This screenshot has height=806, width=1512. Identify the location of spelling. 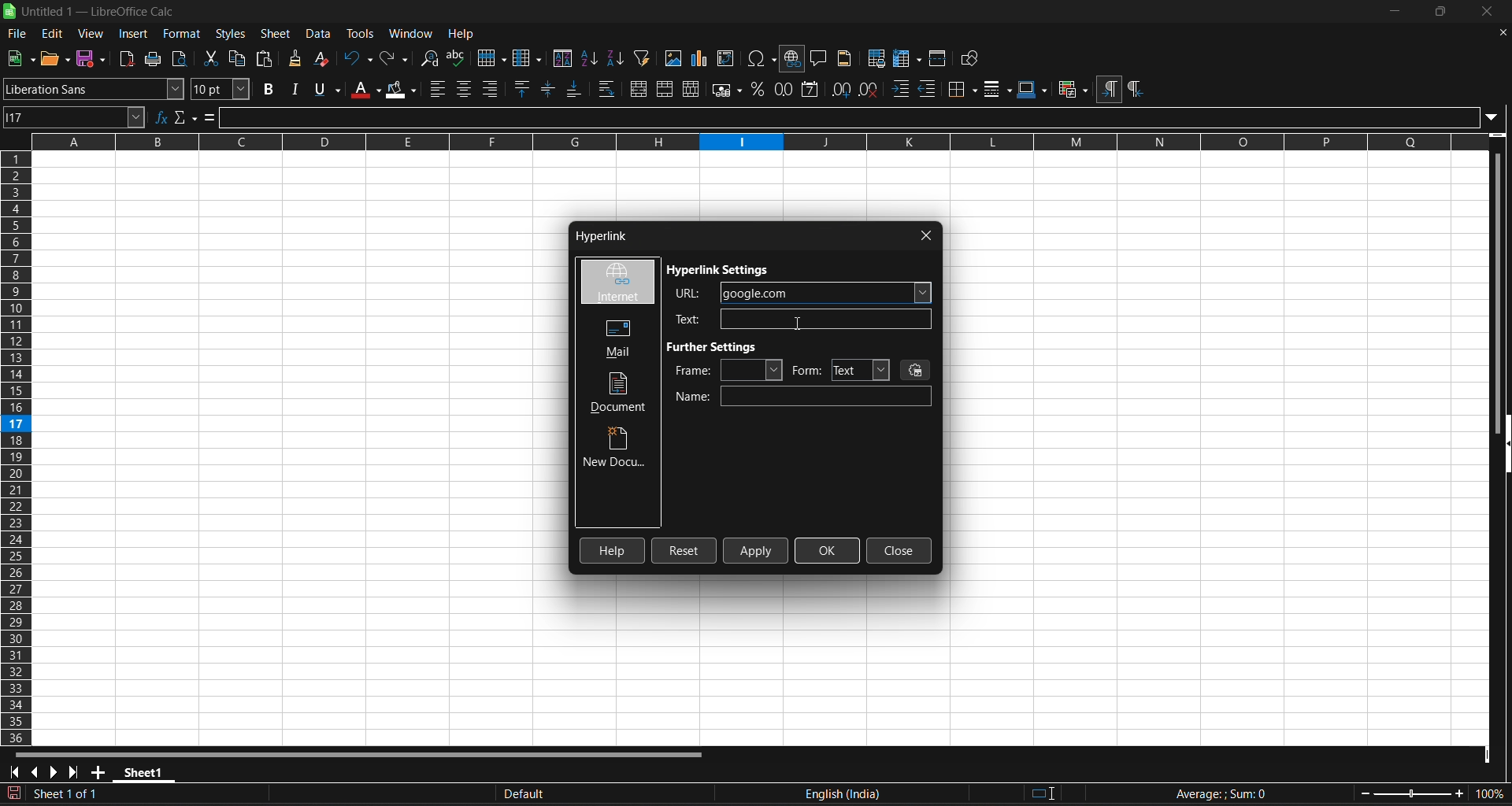
(458, 58).